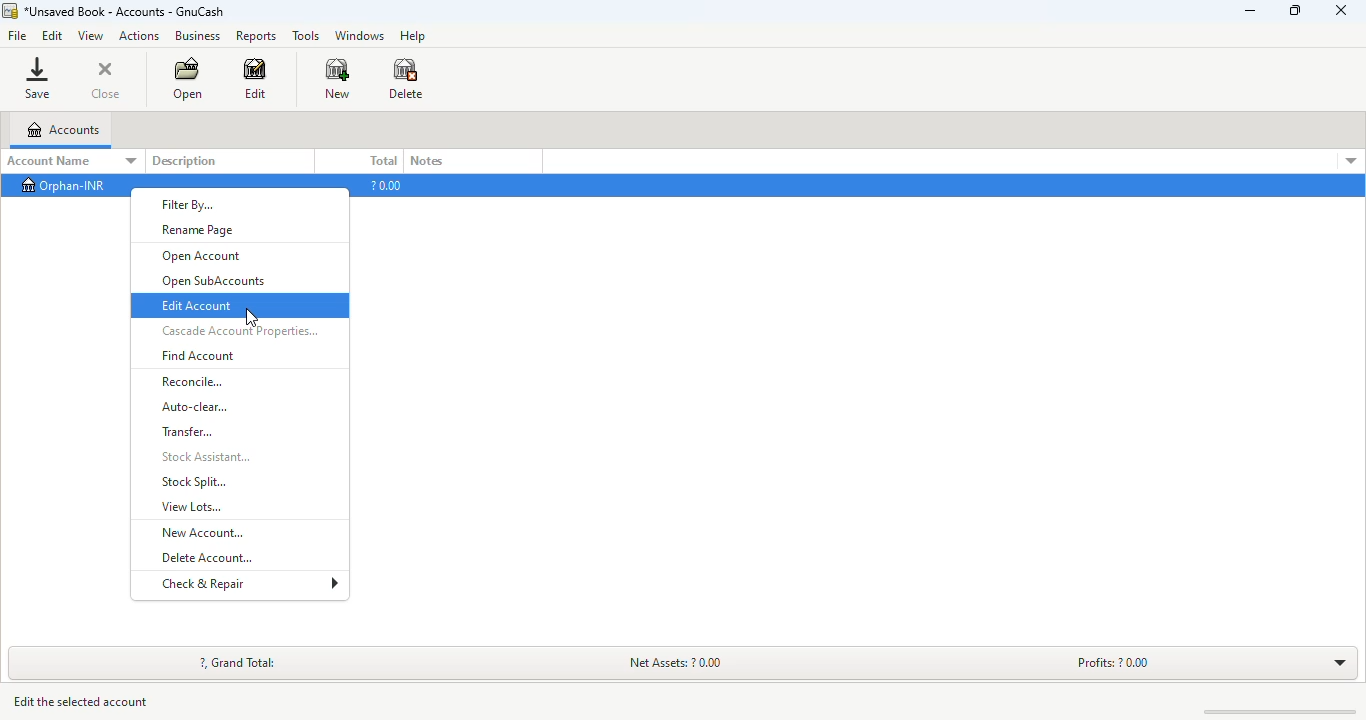 The image size is (1366, 720). I want to click on net assets: ? 0.00, so click(679, 662).